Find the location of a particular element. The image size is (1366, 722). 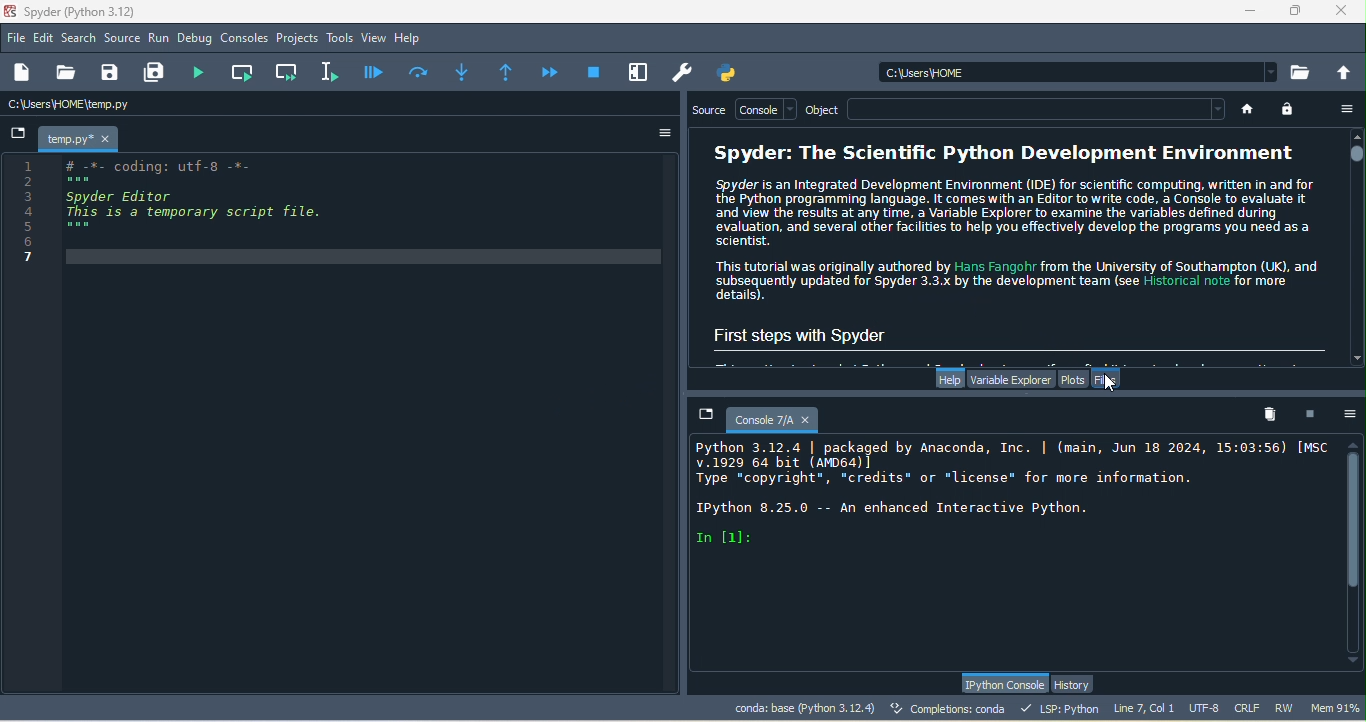

variable explorer is located at coordinates (1010, 378).